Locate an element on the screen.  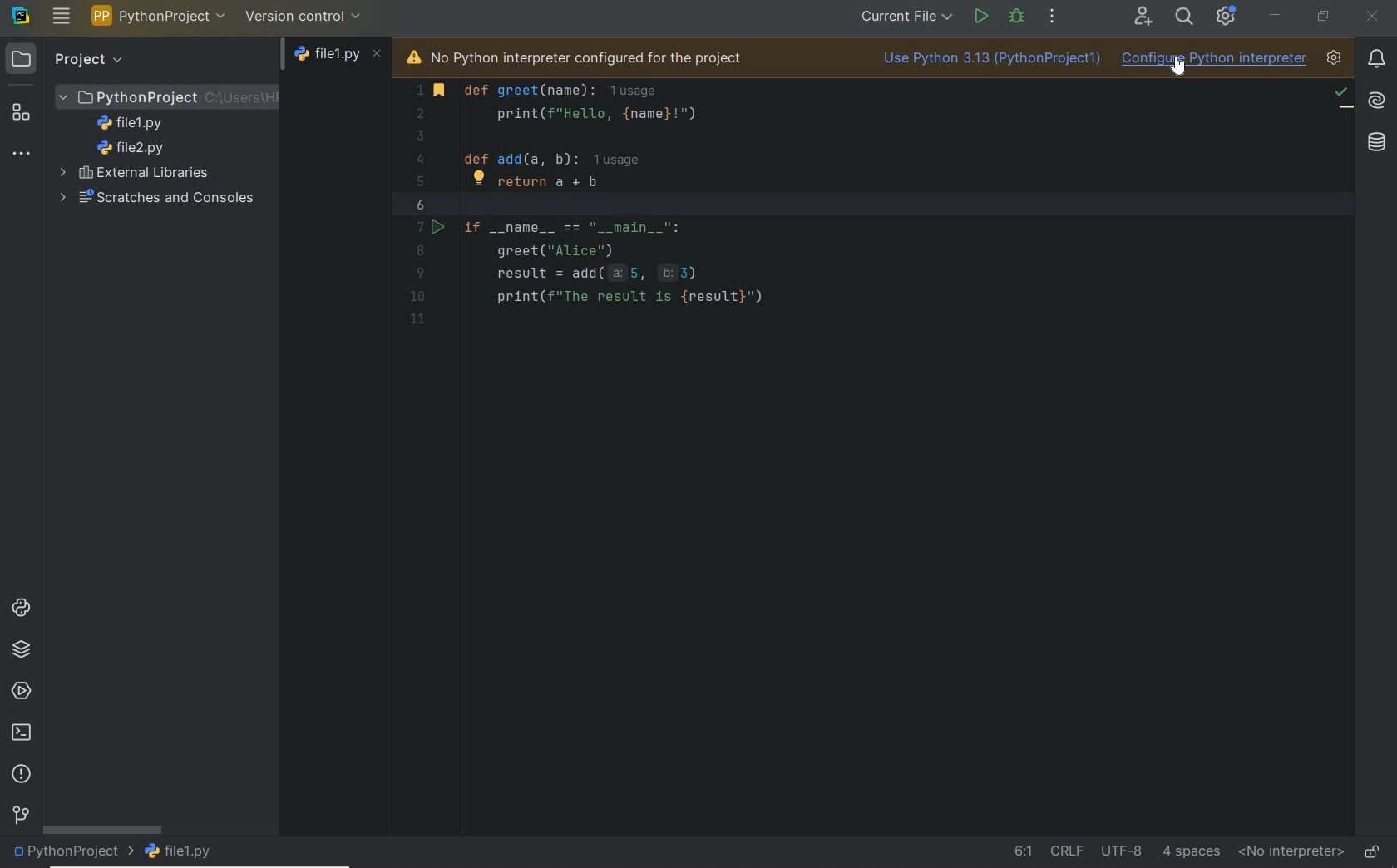
RESTORE DOWN is located at coordinates (1322, 16).